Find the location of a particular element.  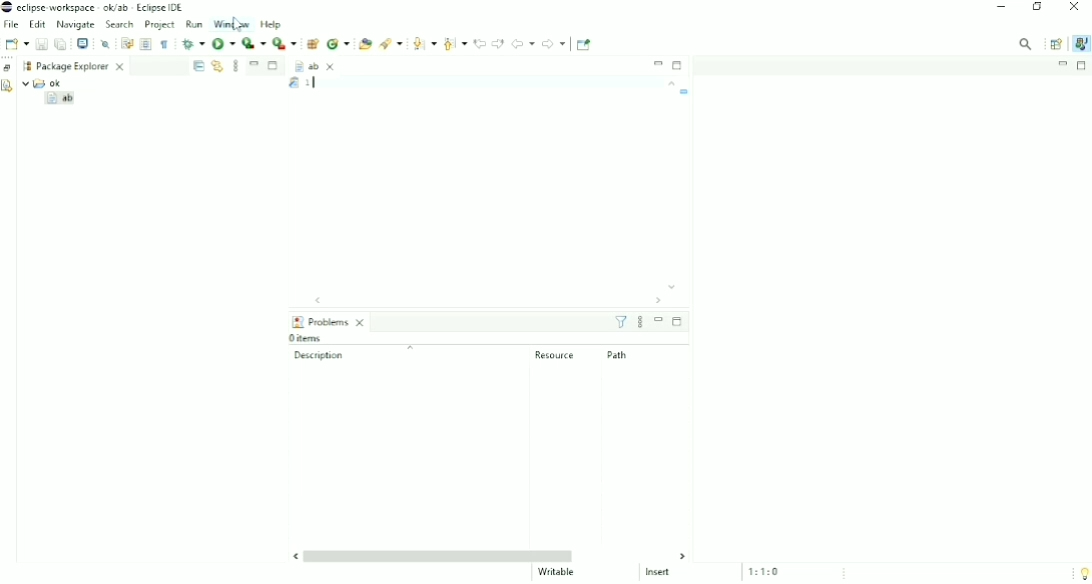

Close is located at coordinates (1074, 8).